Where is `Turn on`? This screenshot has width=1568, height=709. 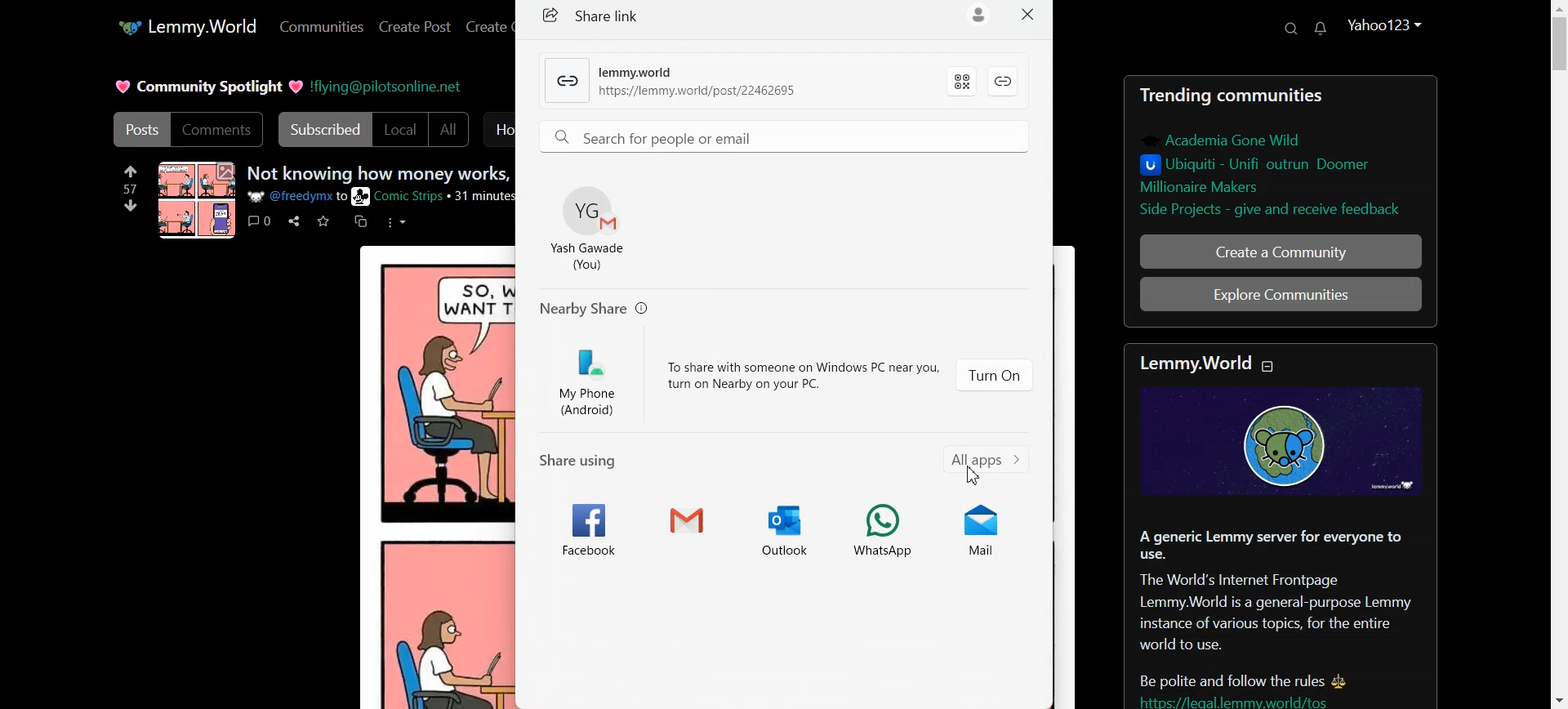
Turn on is located at coordinates (995, 374).